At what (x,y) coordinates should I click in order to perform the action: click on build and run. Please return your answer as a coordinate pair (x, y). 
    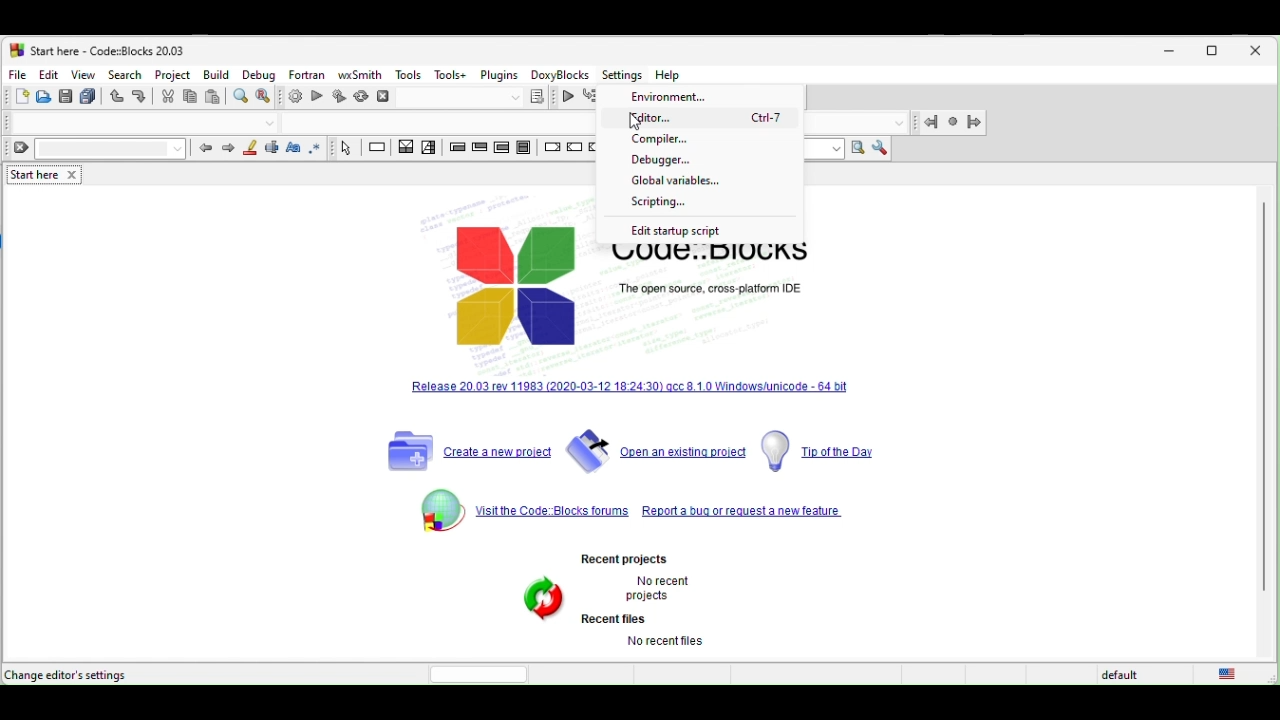
    Looking at the image, I should click on (340, 98).